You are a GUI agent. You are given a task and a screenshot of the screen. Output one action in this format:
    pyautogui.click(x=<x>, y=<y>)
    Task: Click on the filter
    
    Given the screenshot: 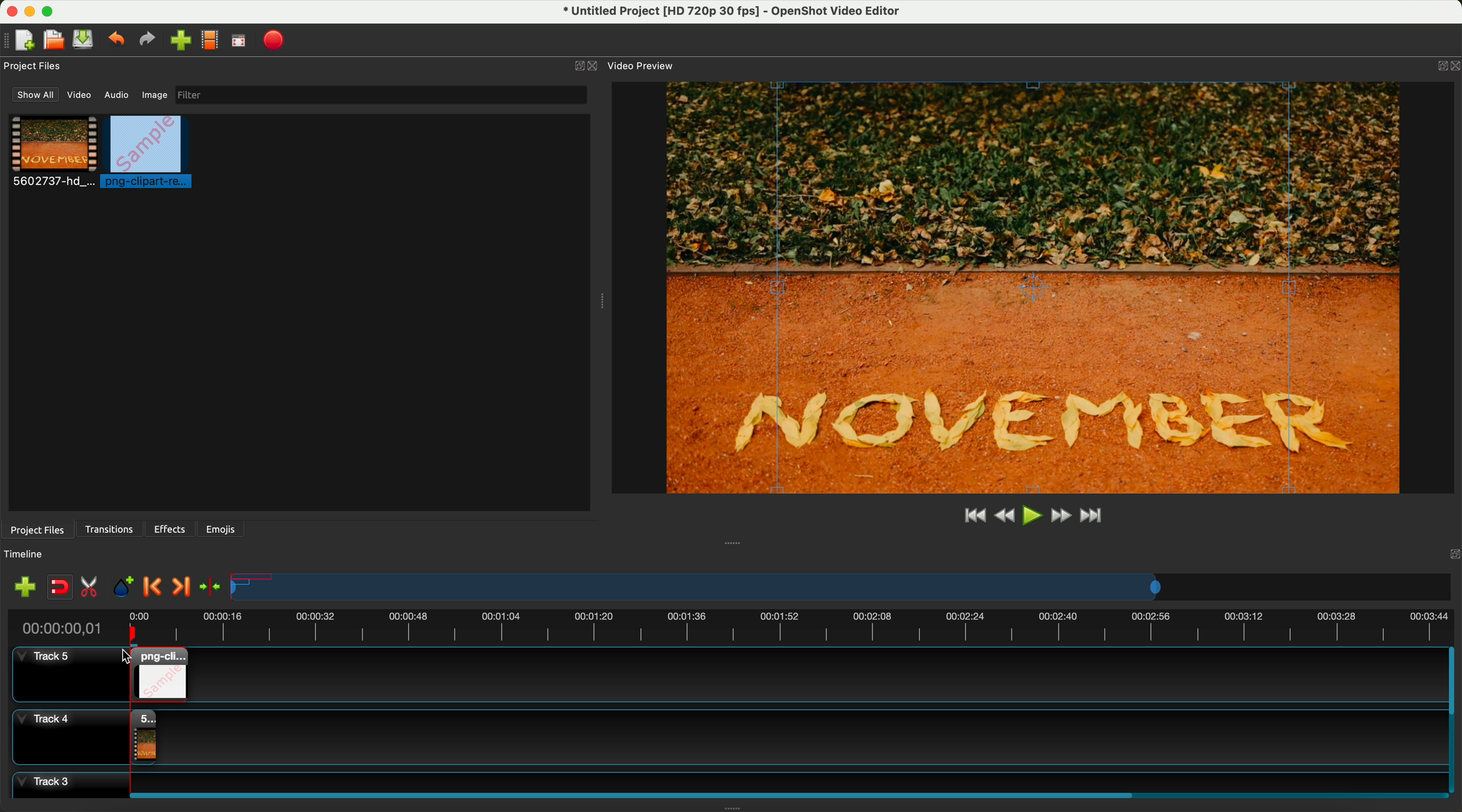 What is the action you would take?
    pyautogui.click(x=378, y=95)
    